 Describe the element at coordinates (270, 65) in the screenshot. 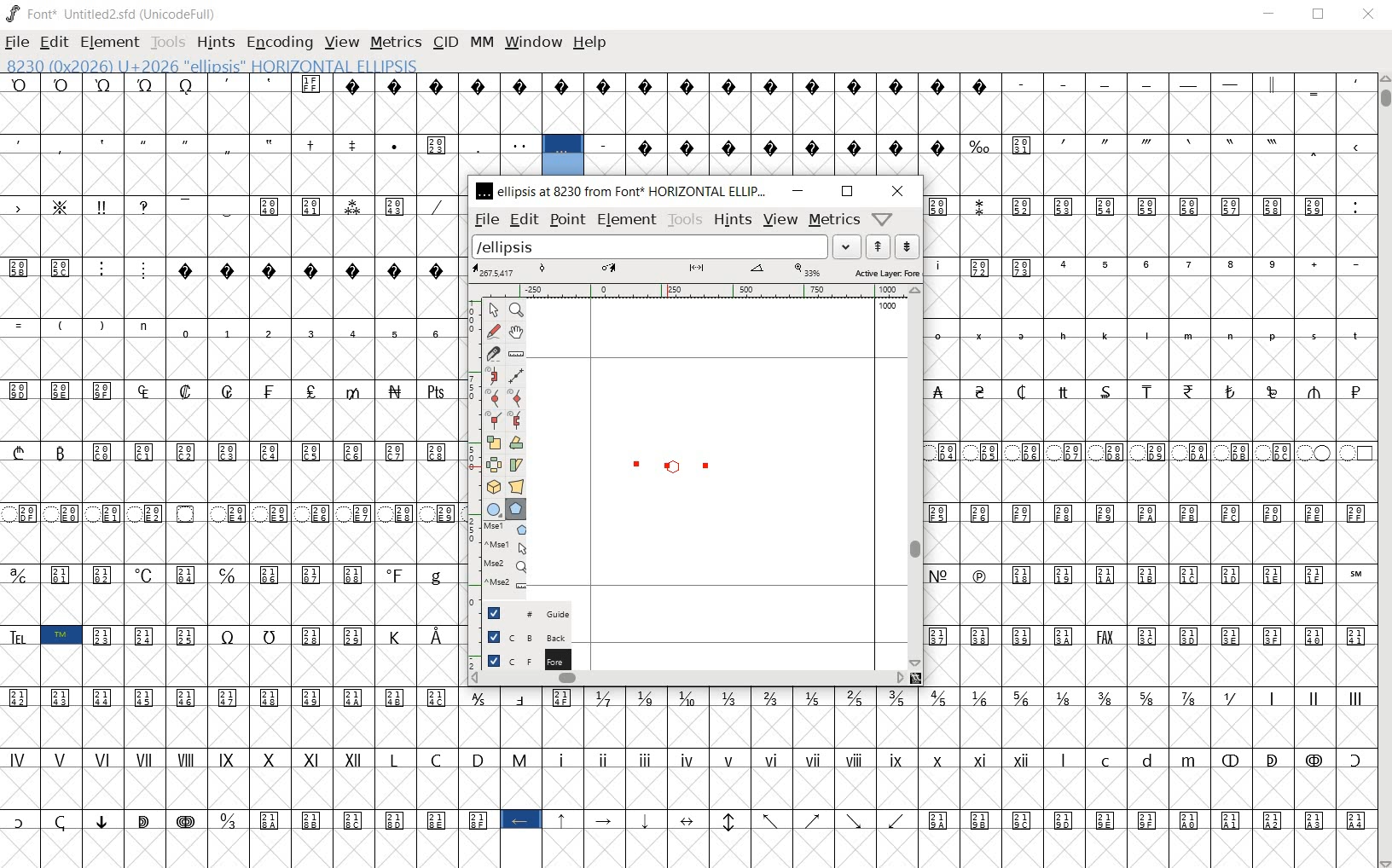

I see `8230 (0x2026) U+2026 "ELLIPSIS" HORIZONTAL ELLIPSIS` at that location.